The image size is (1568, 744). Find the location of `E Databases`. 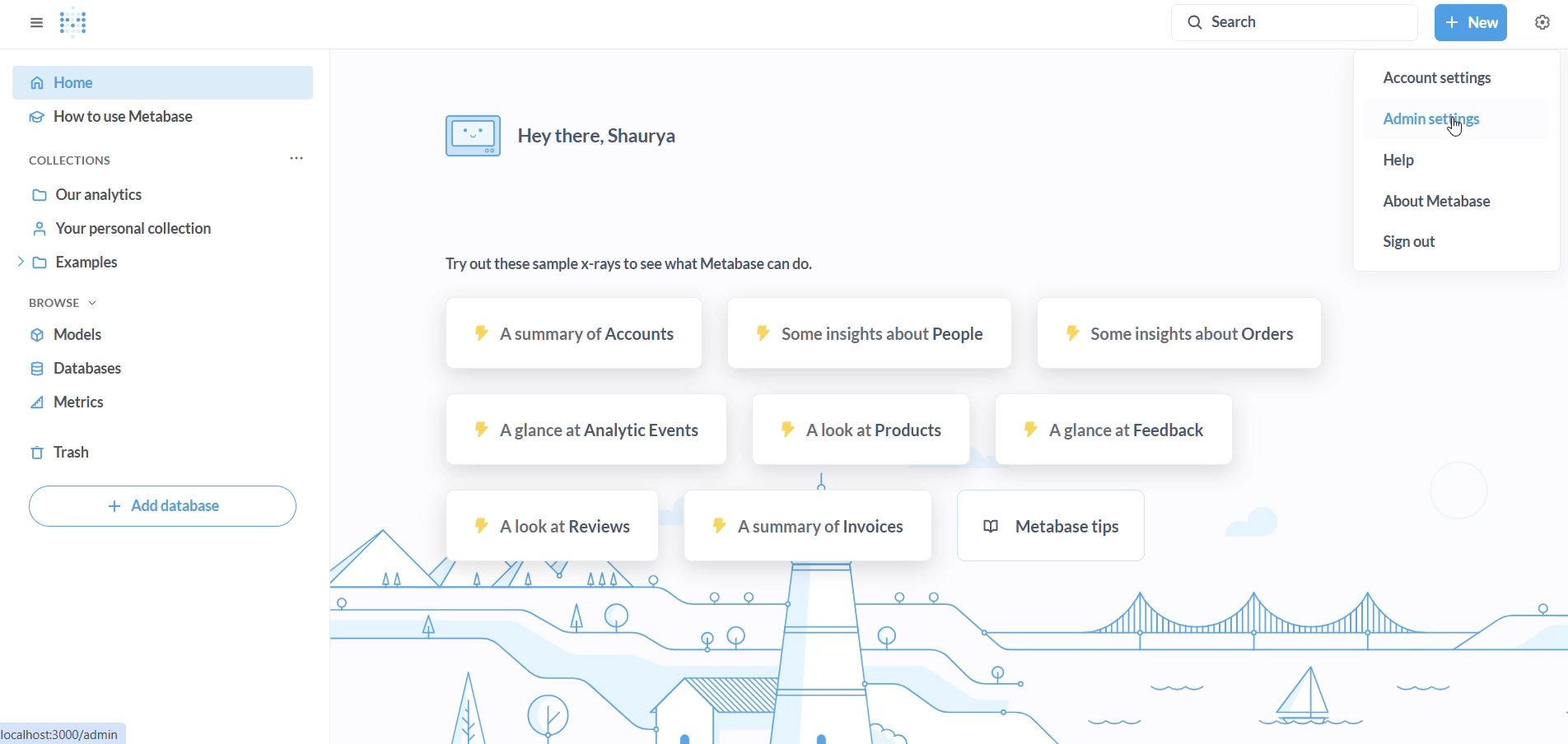

E Databases is located at coordinates (74, 366).